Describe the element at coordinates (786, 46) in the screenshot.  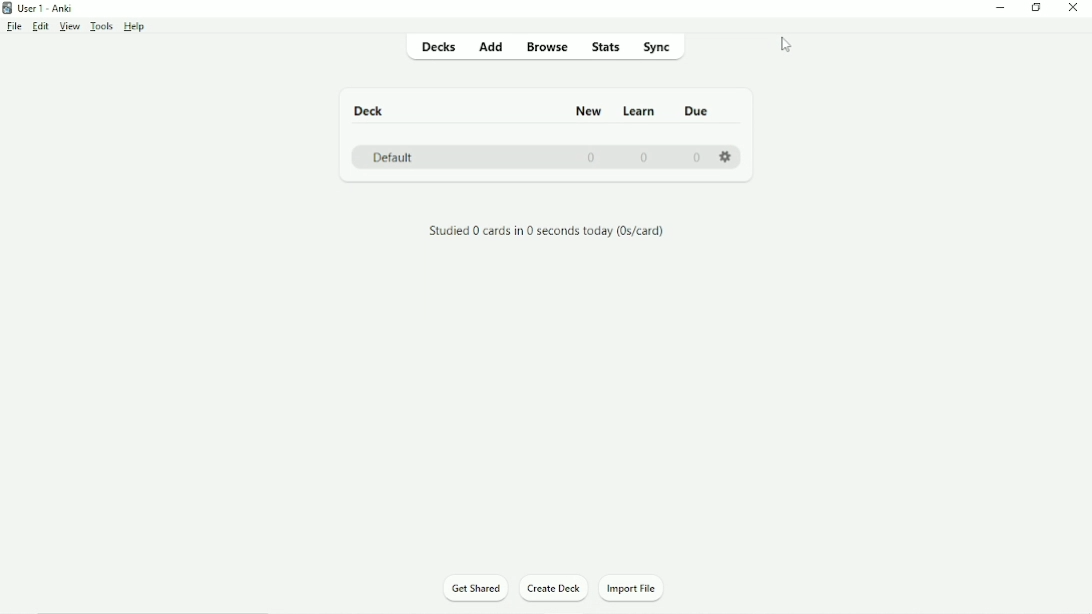
I see `Cursor` at that location.